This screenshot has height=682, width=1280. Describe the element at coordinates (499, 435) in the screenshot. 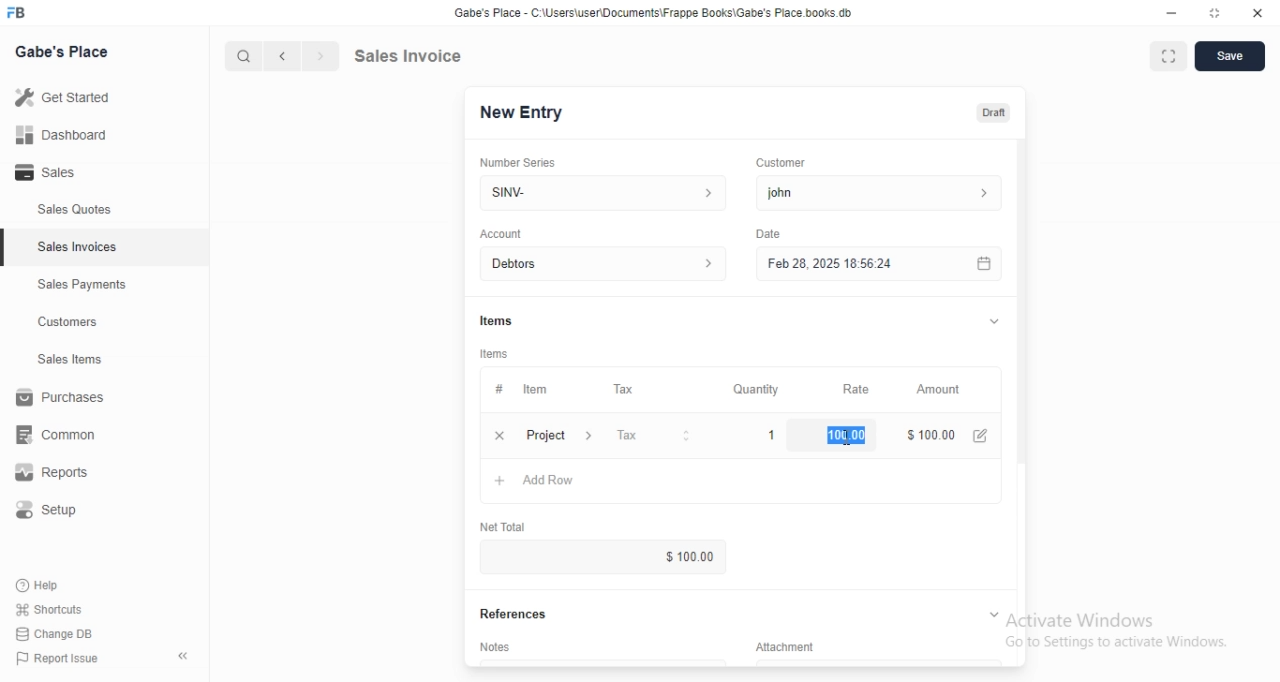

I see `delete` at that location.